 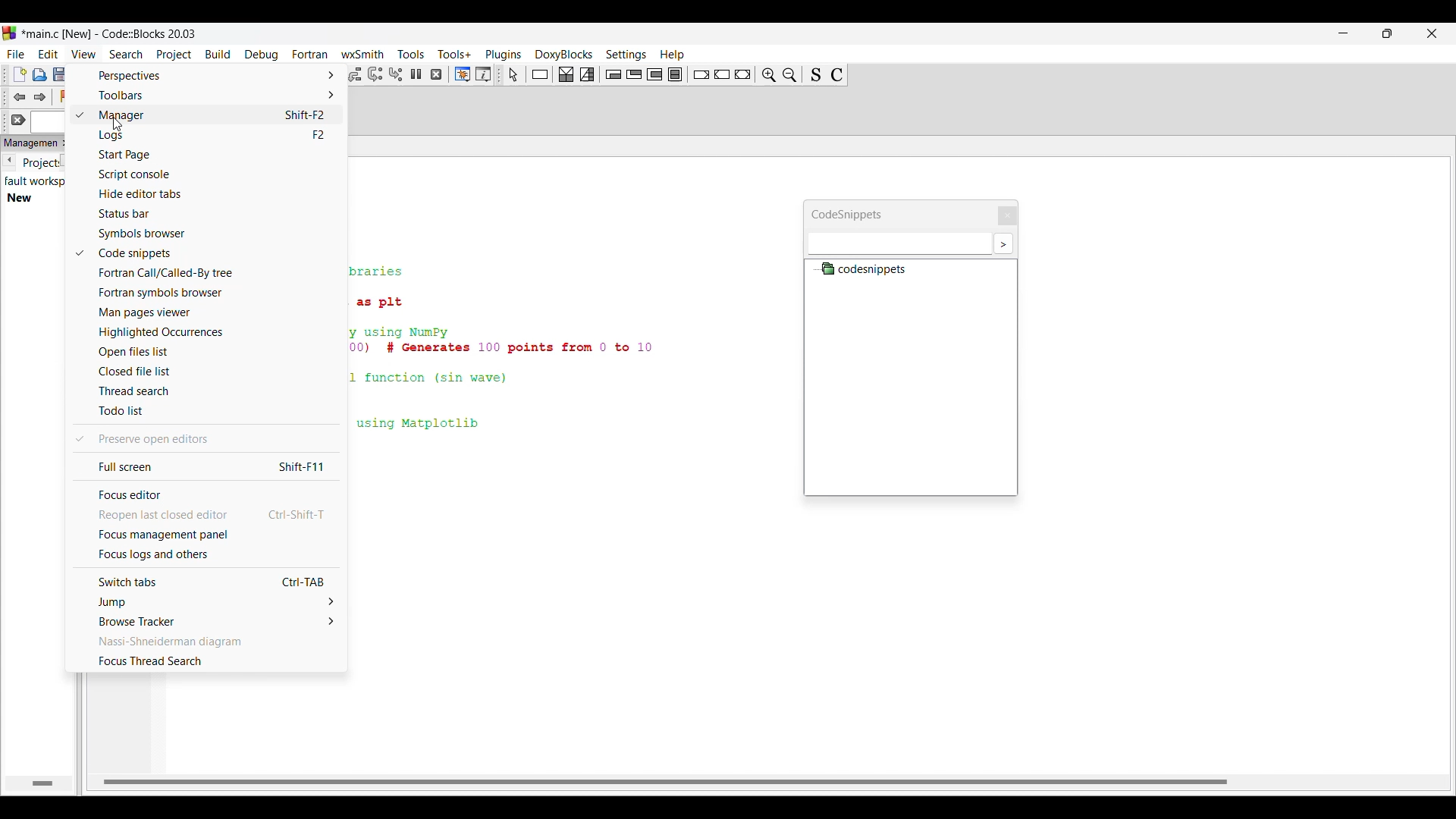 What do you see at coordinates (35, 189) in the screenshot?
I see `Details of current tab` at bounding box center [35, 189].